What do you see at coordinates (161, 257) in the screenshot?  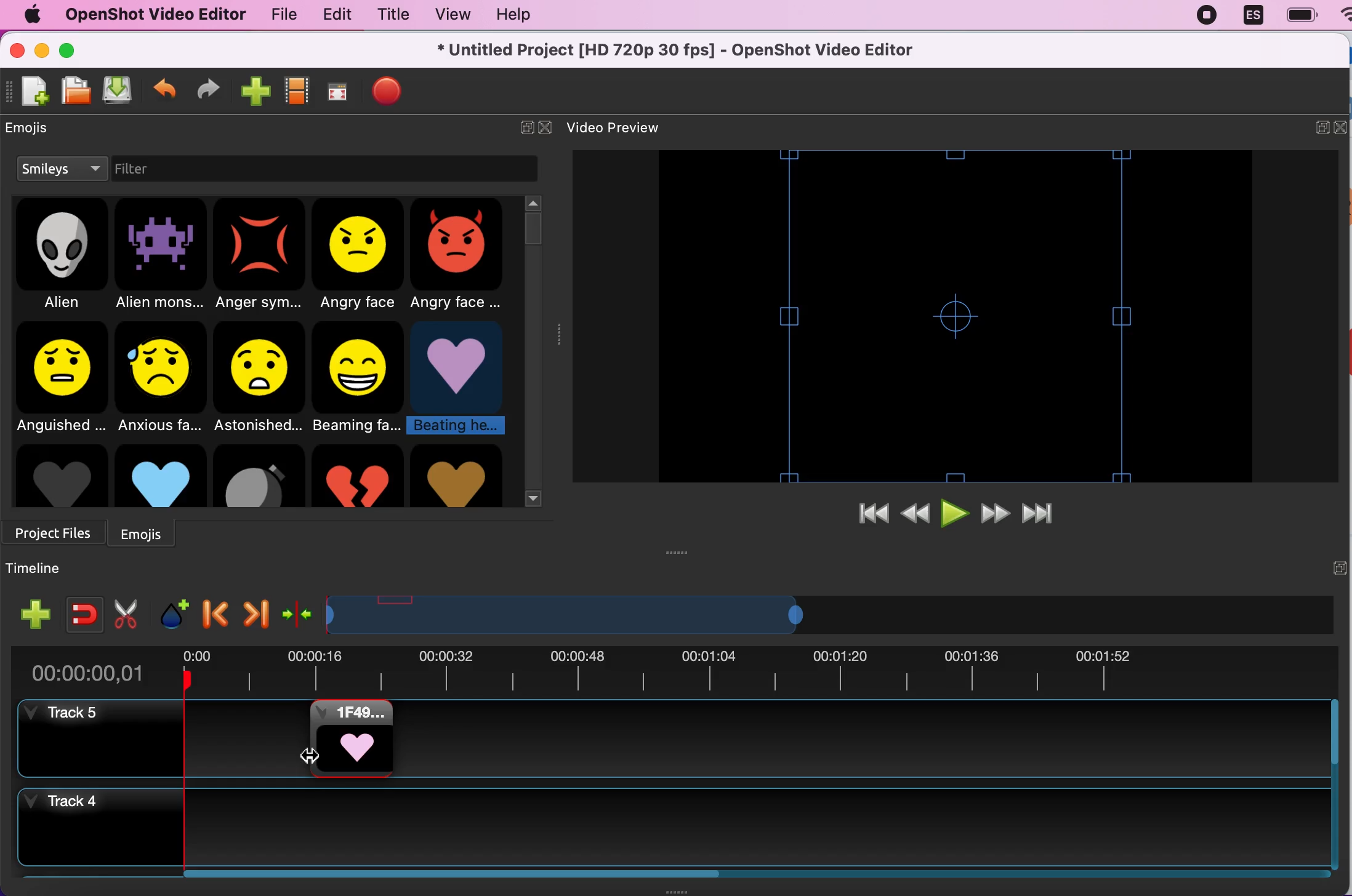 I see `alien monster` at bounding box center [161, 257].